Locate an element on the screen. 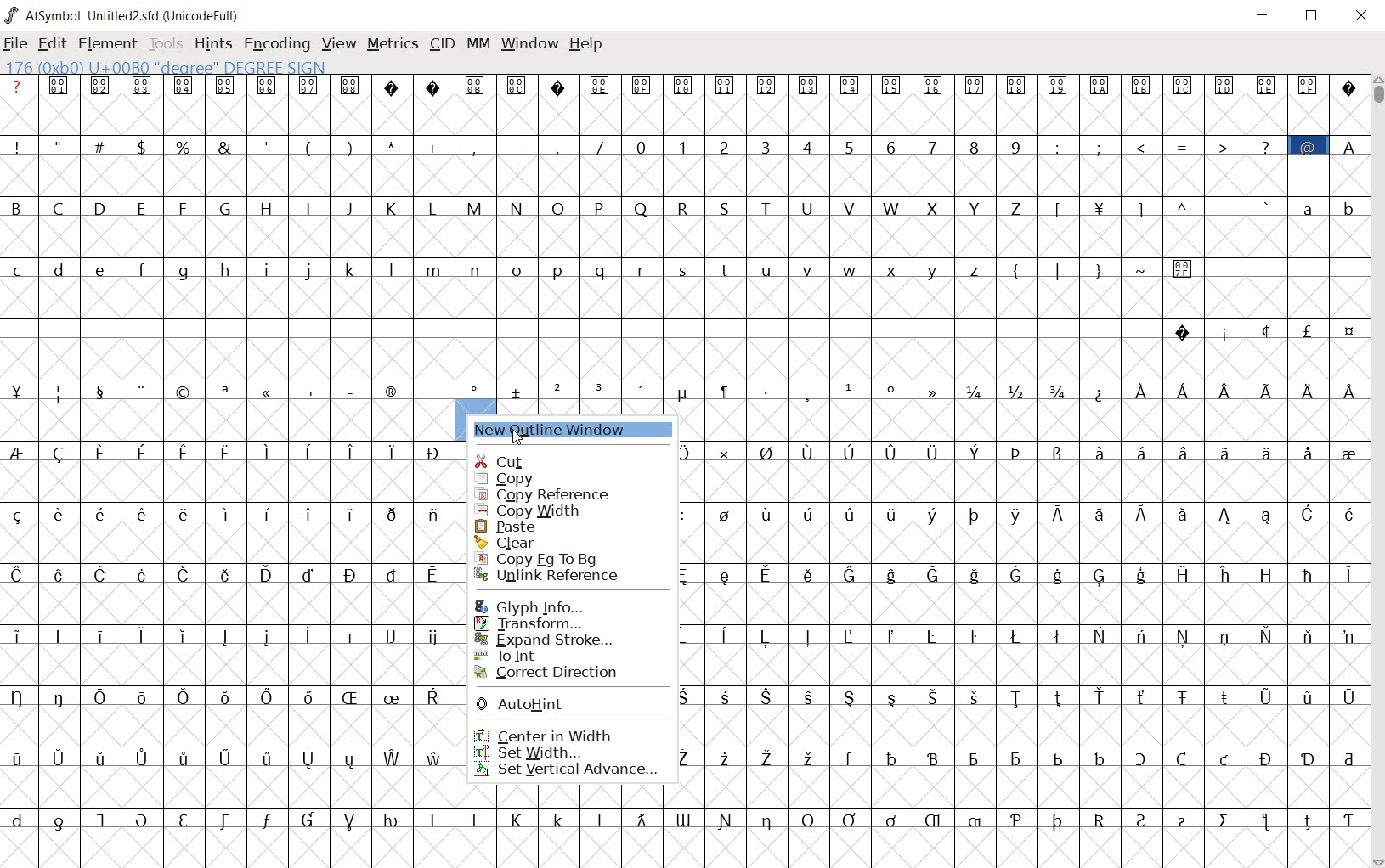 This screenshot has height=868, width=1385. tools is located at coordinates (166, 43).